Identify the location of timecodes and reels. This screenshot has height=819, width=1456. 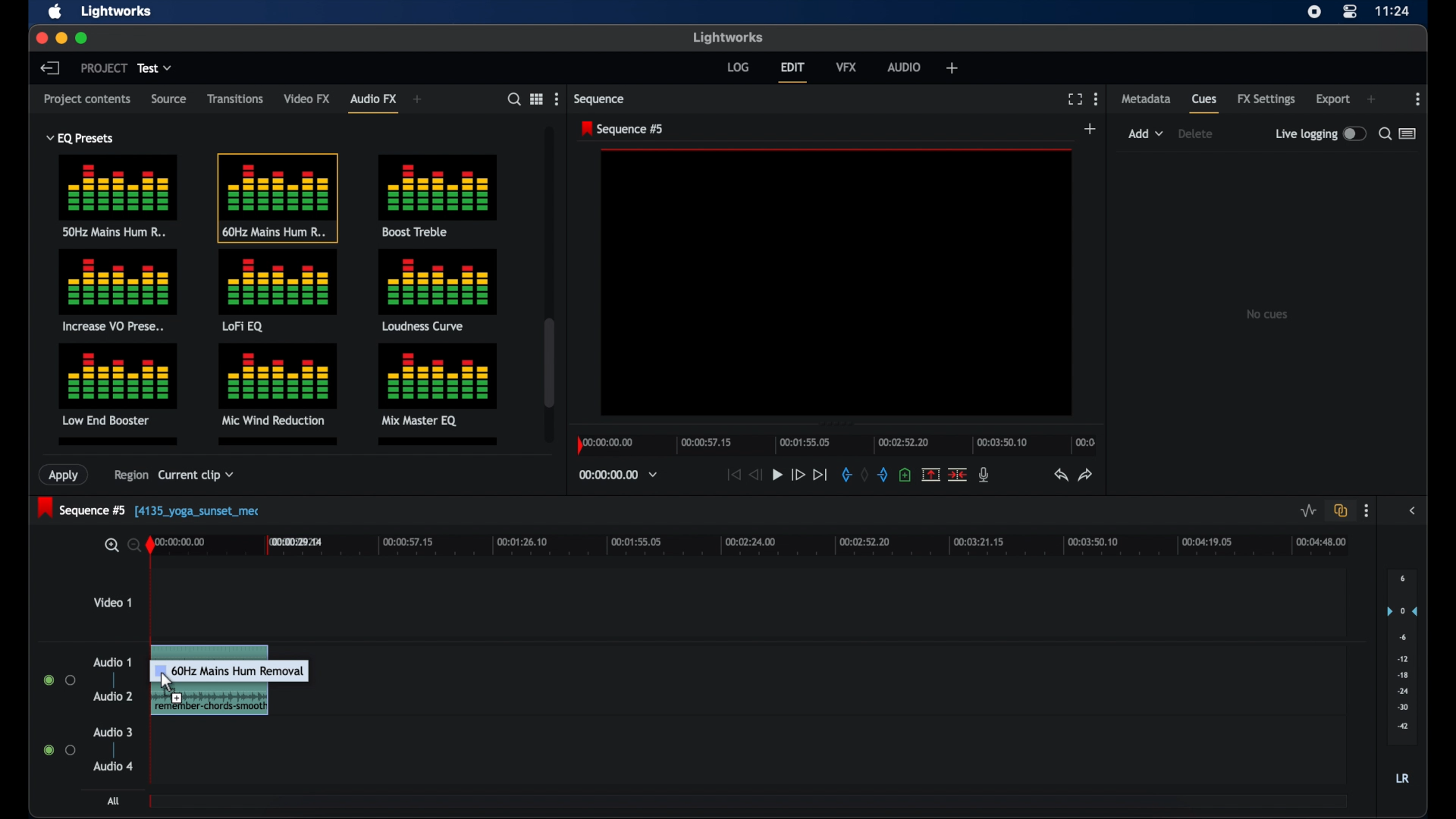
(618, 475).